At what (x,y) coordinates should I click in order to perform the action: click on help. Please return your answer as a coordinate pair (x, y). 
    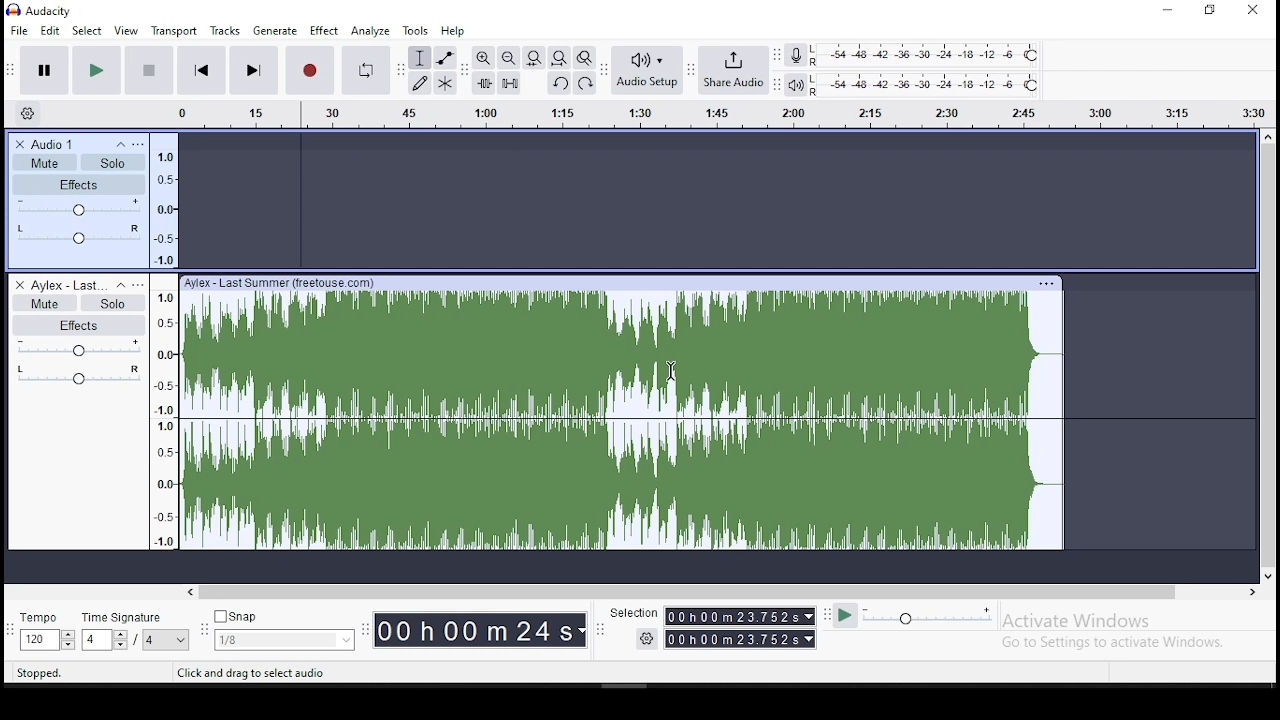
    Looking at the image, I should click on (453, 32).